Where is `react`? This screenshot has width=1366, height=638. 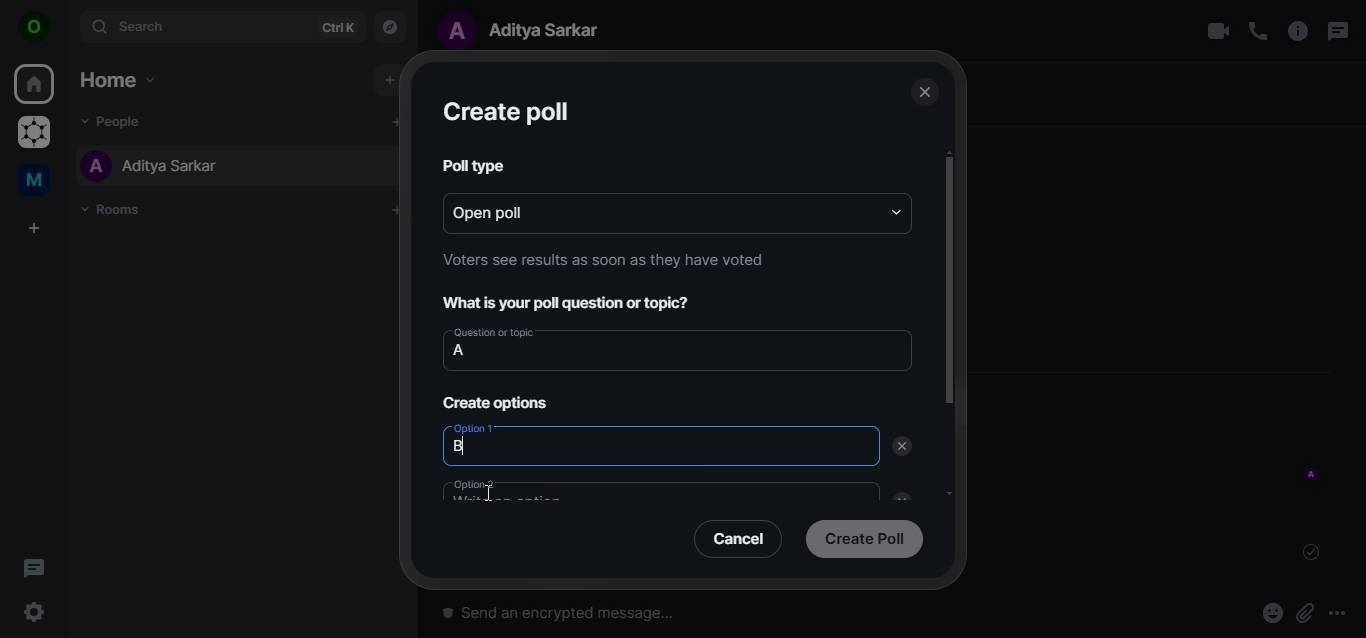 react is located at coordinates (1273, 615).